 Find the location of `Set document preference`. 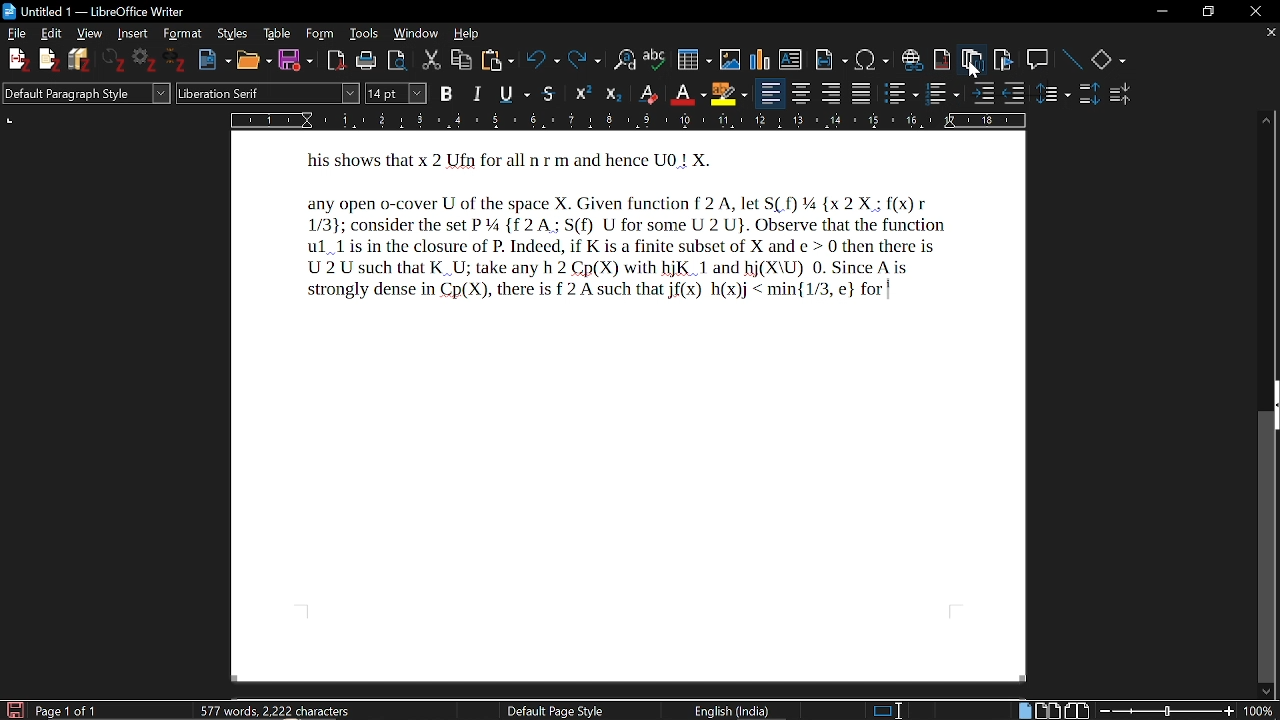

Set document preference is located at coordinates (142, 60).